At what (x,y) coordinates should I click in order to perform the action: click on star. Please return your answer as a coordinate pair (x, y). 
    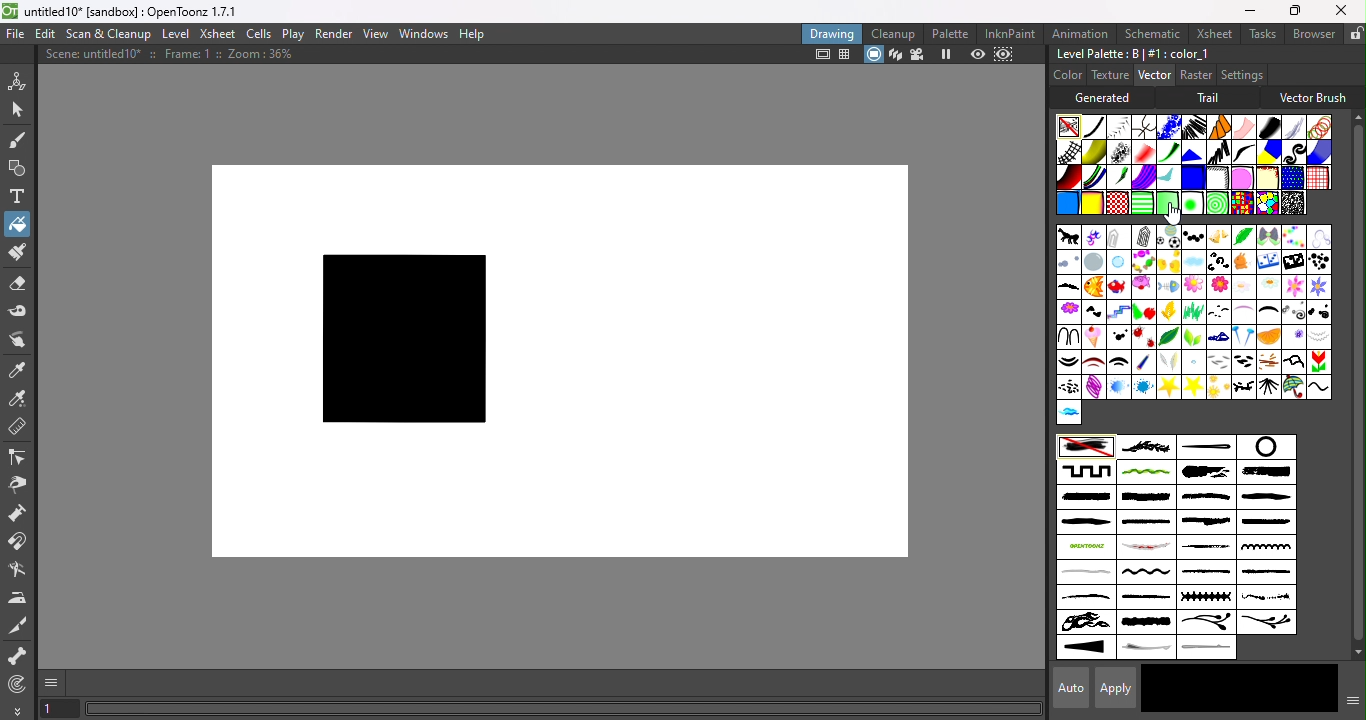
    Looking at the image, I should click on (1192, 386).